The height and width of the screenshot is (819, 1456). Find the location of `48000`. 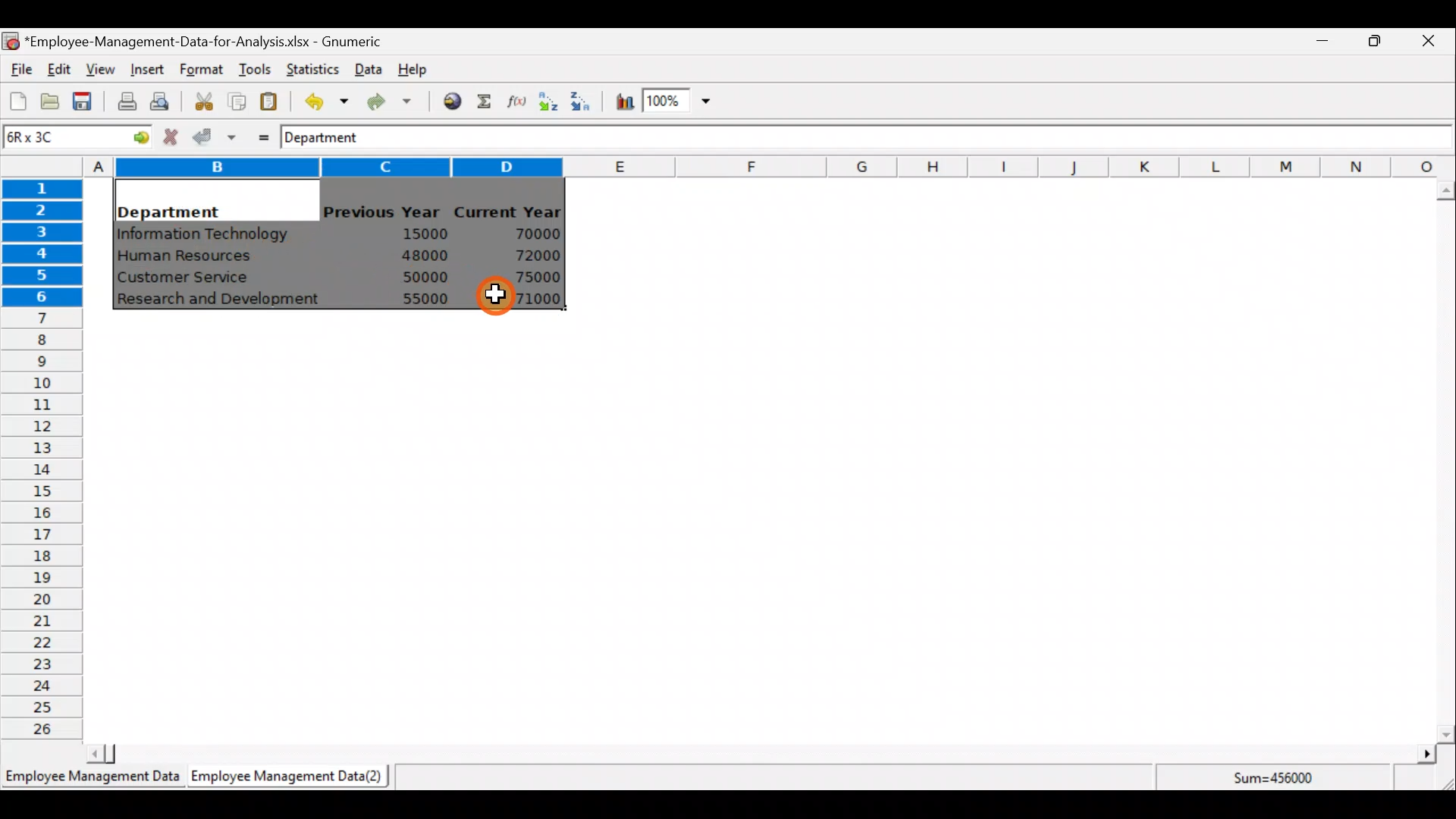

48000 is located at coordinates (424, 256).